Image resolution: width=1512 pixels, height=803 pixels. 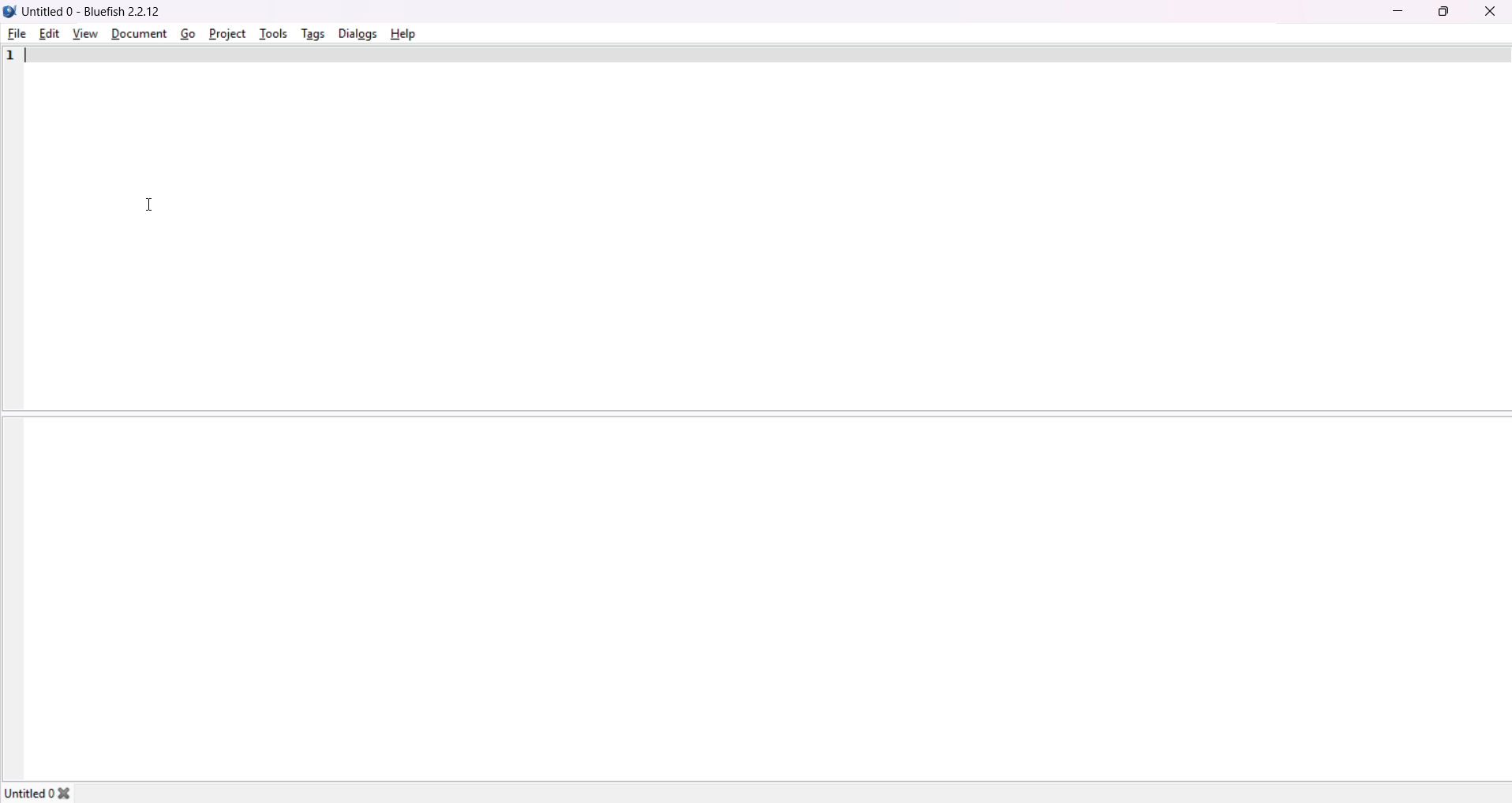 What do you see at coordinates (1443, 10) in the screenshot?
I see `maximize` at bounding box center [1443, 10].